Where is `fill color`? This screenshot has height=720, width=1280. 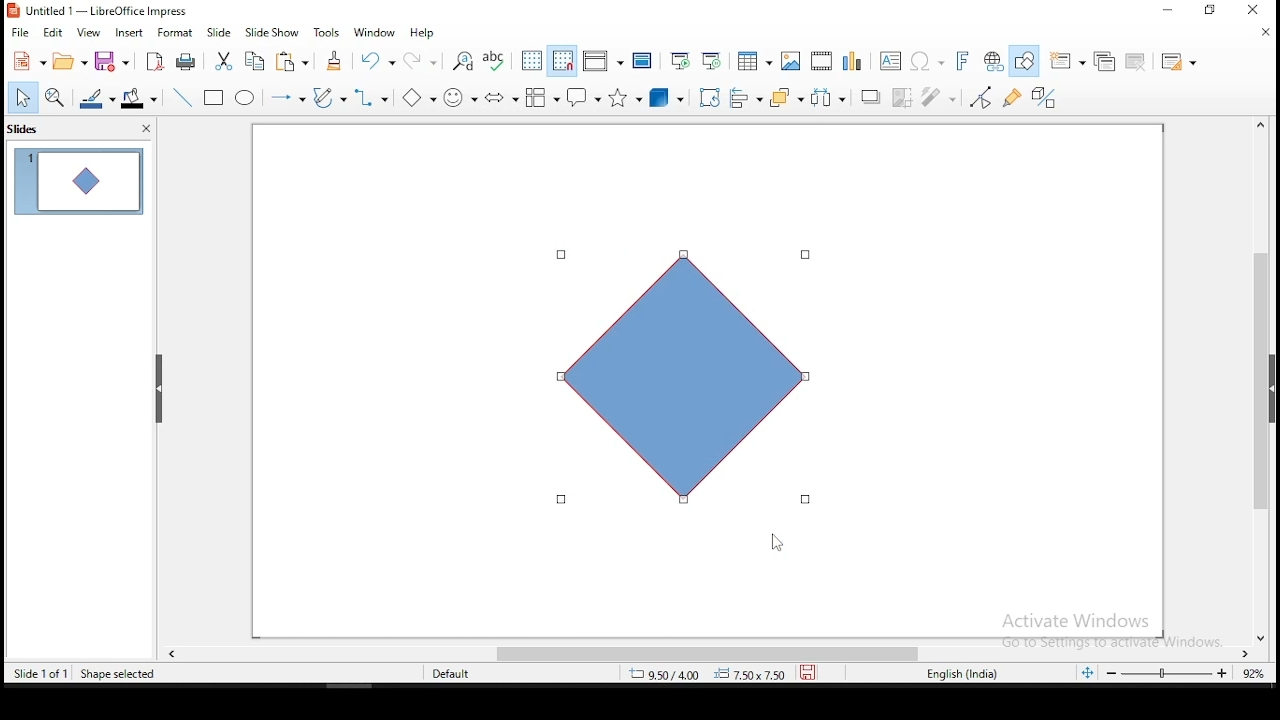
fill color is located at coordinates (139, 99).